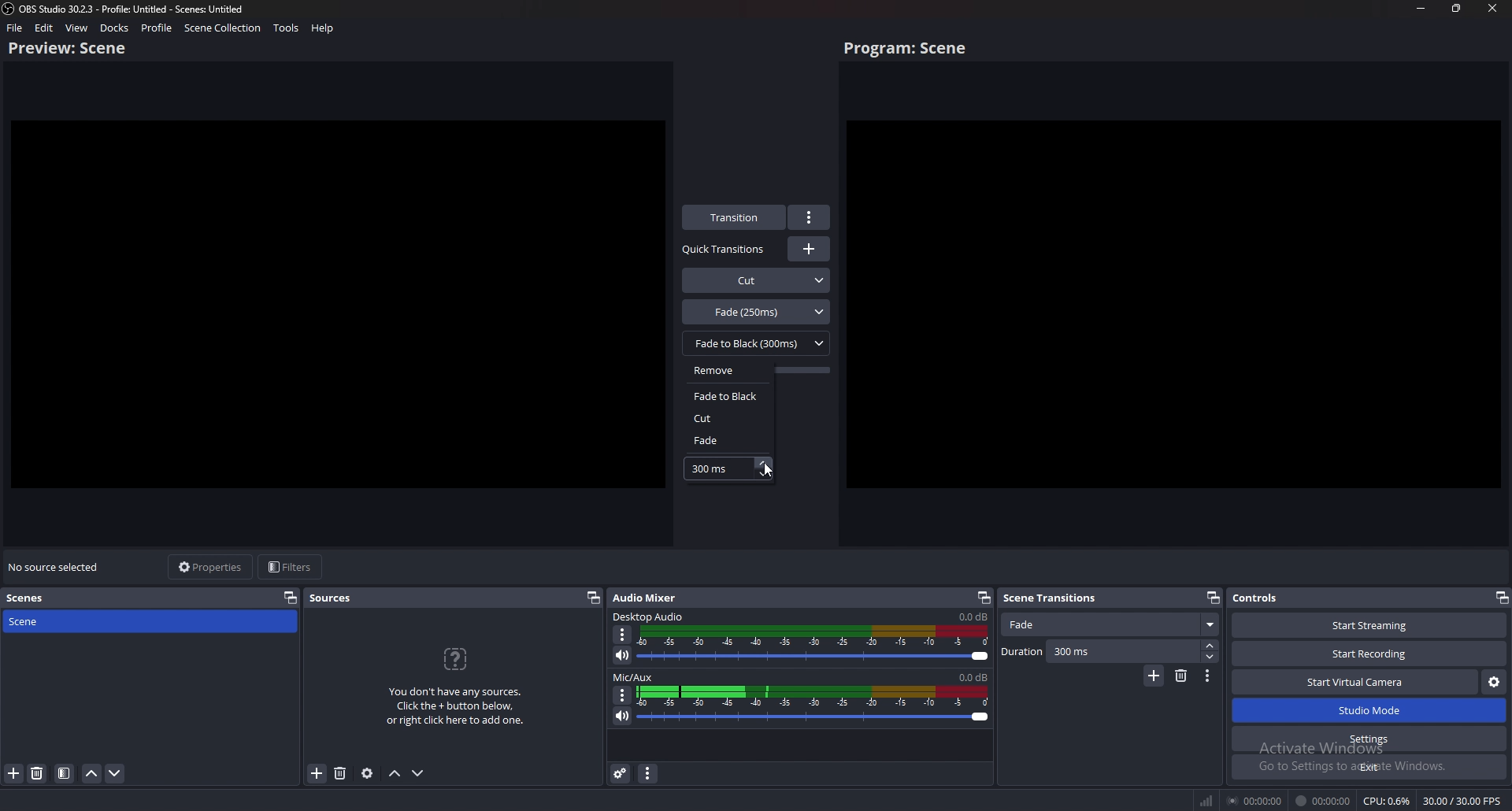  I want to click on Duration, so click(1110, 652).